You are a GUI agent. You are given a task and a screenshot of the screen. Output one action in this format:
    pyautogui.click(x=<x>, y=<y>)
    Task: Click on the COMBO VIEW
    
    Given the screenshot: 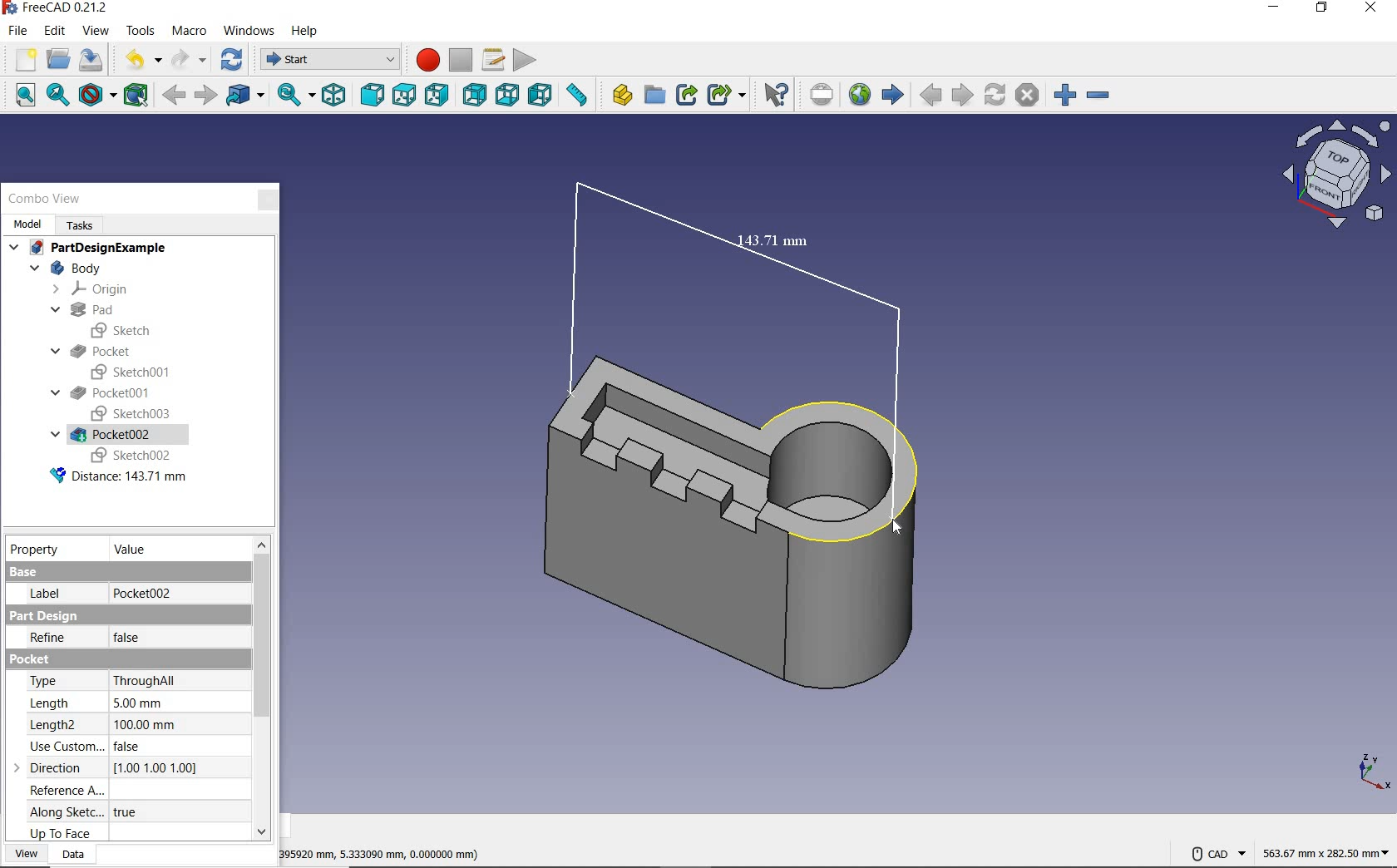 What is the action you would take?
    pyautogui.click(x=46, y=199)
    